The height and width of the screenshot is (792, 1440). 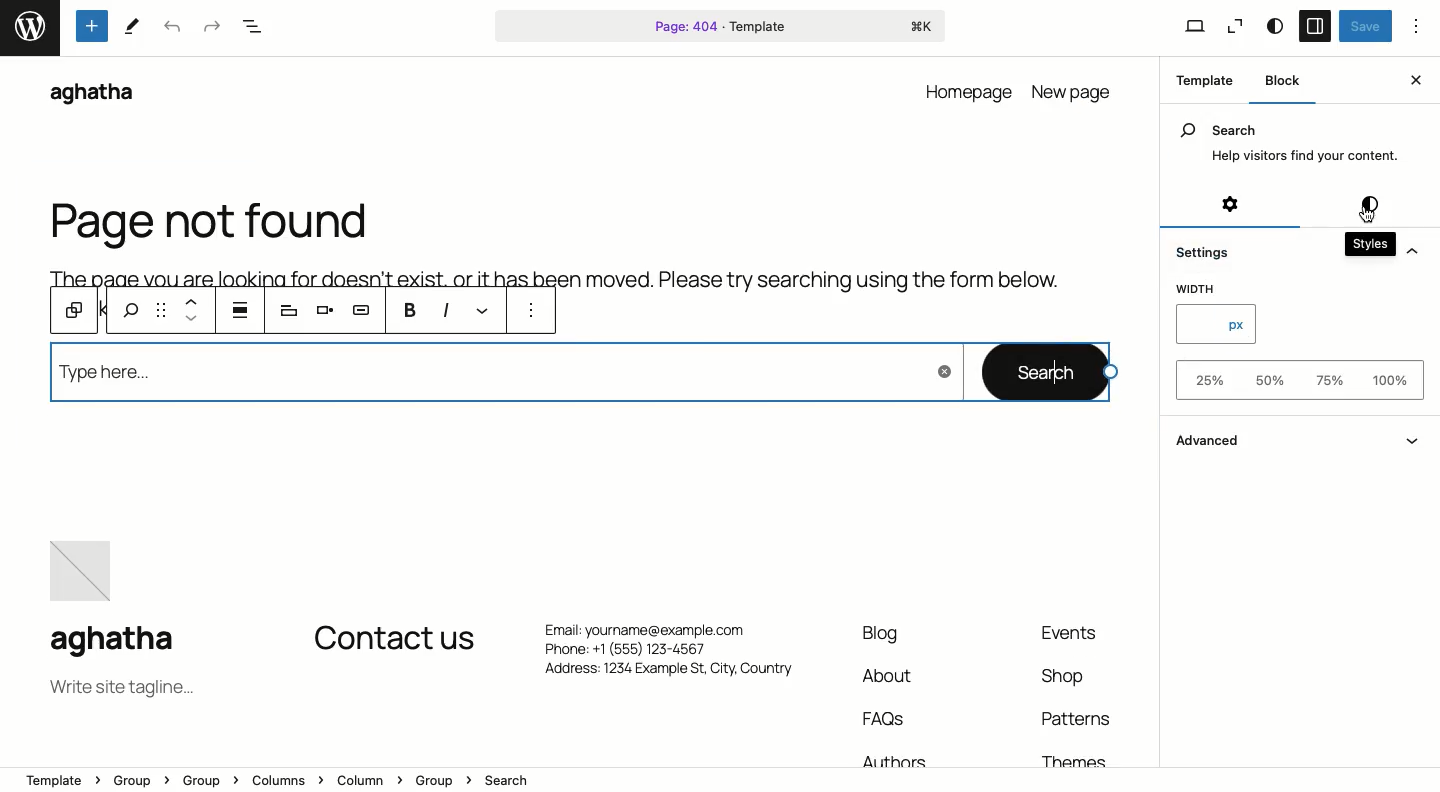 I want to click on View, so click(x=1184, y=25).